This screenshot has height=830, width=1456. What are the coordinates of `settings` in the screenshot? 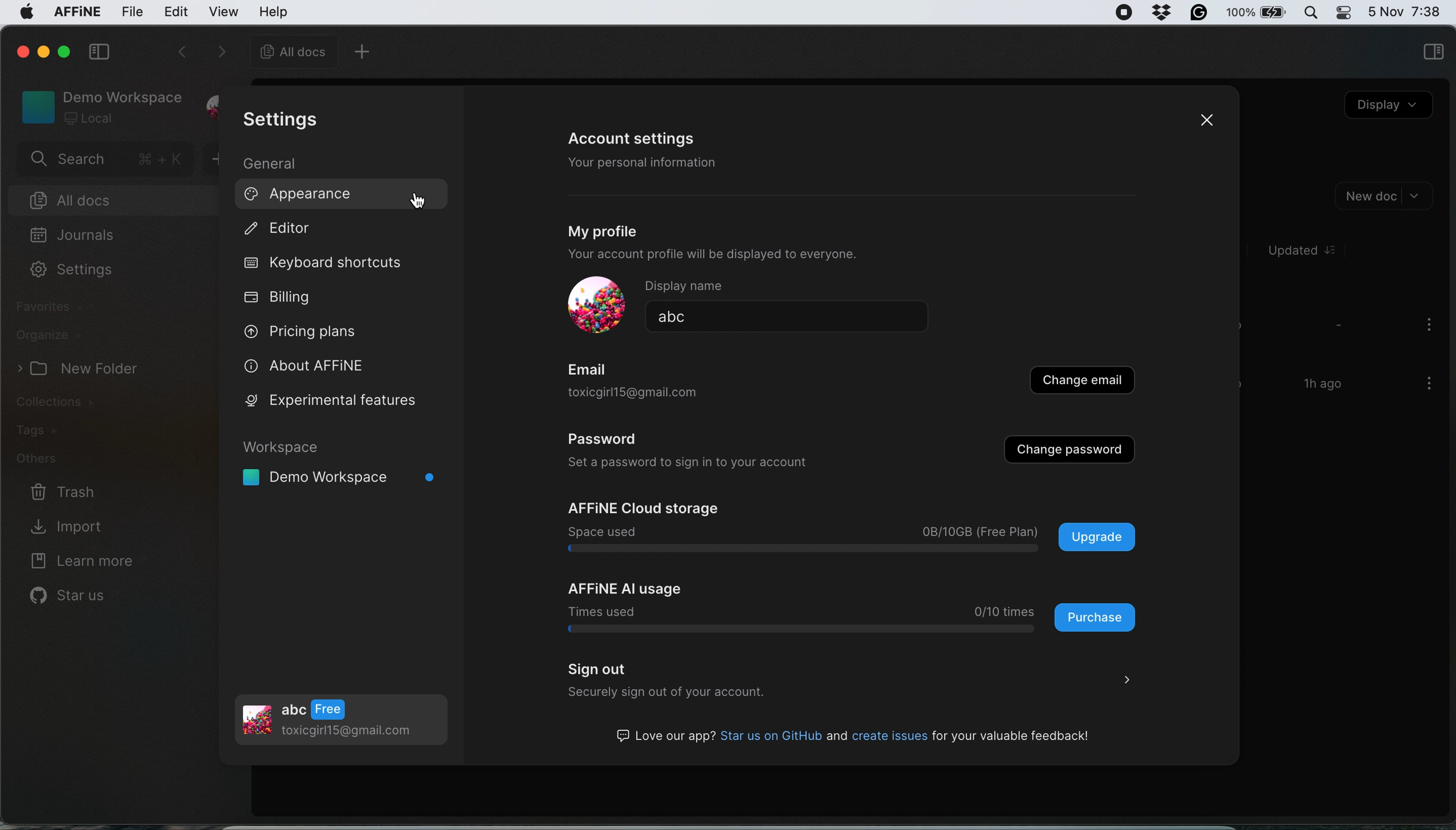 It's located at (288, 121).